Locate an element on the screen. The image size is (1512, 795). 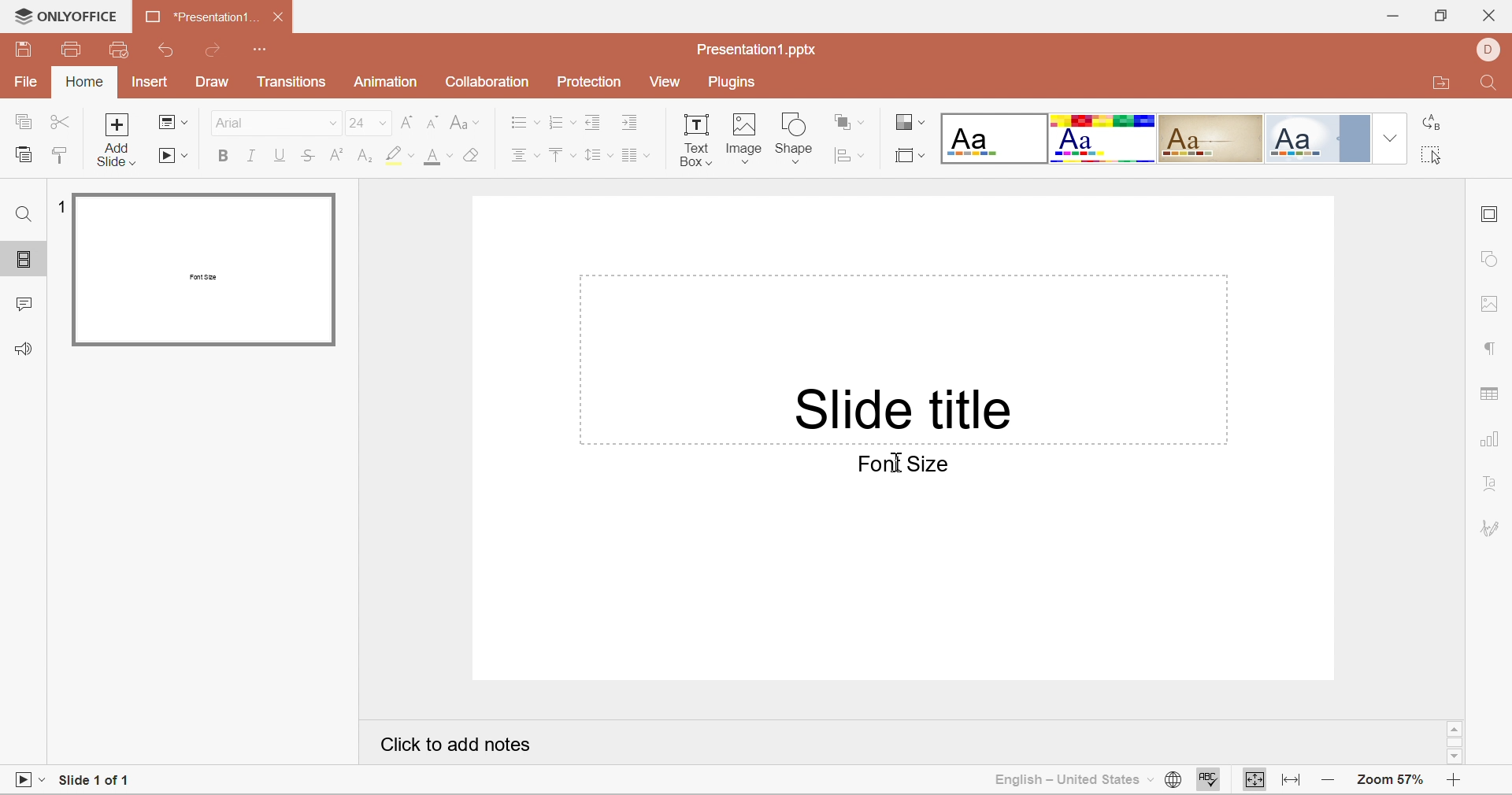
Slide 1 of 1 is located at coordinates (96, 777).